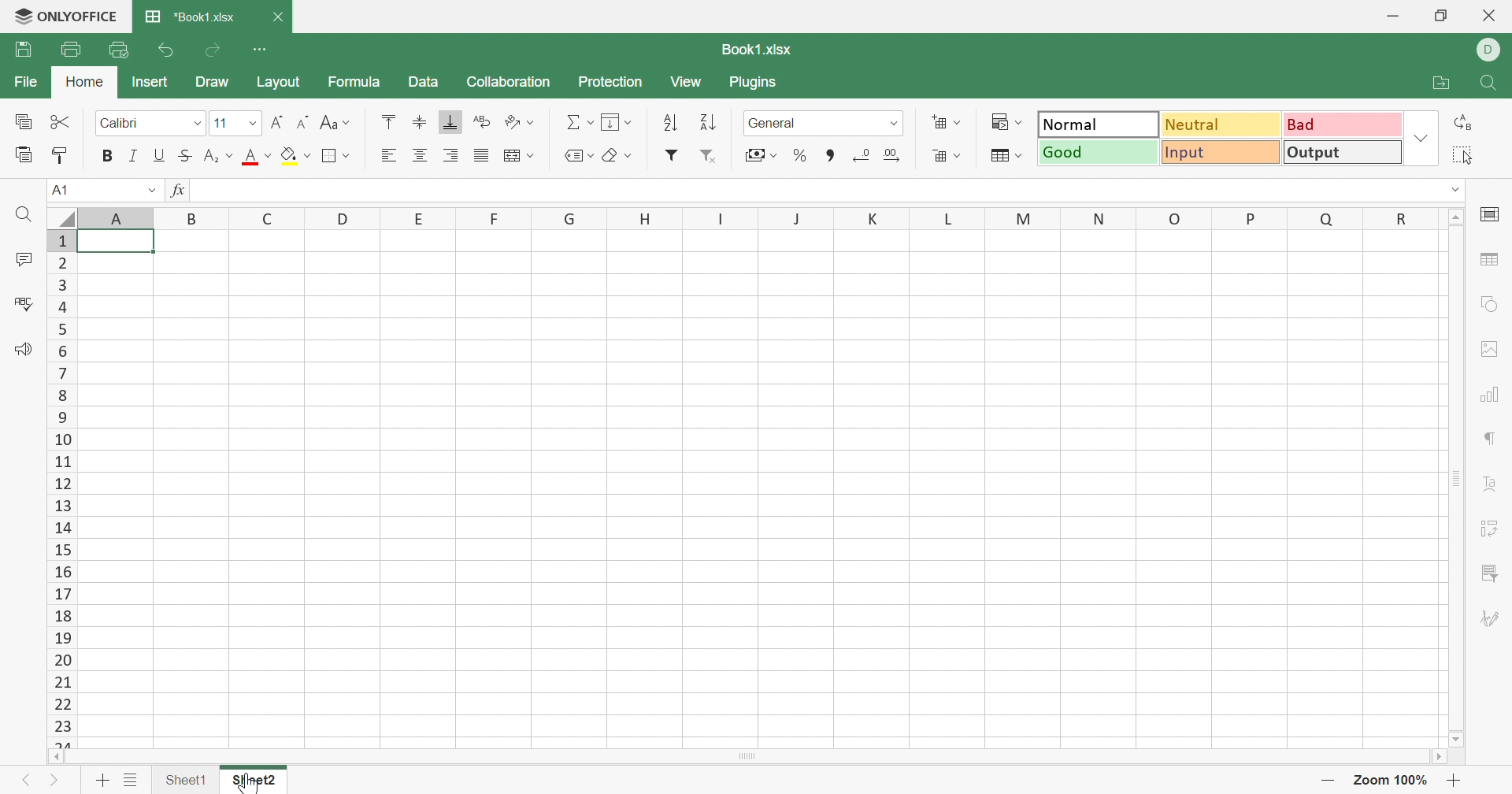  What do you see at coordinates (24, 50) in the screenshot?
I see `File` at bounding box center [24, 50].